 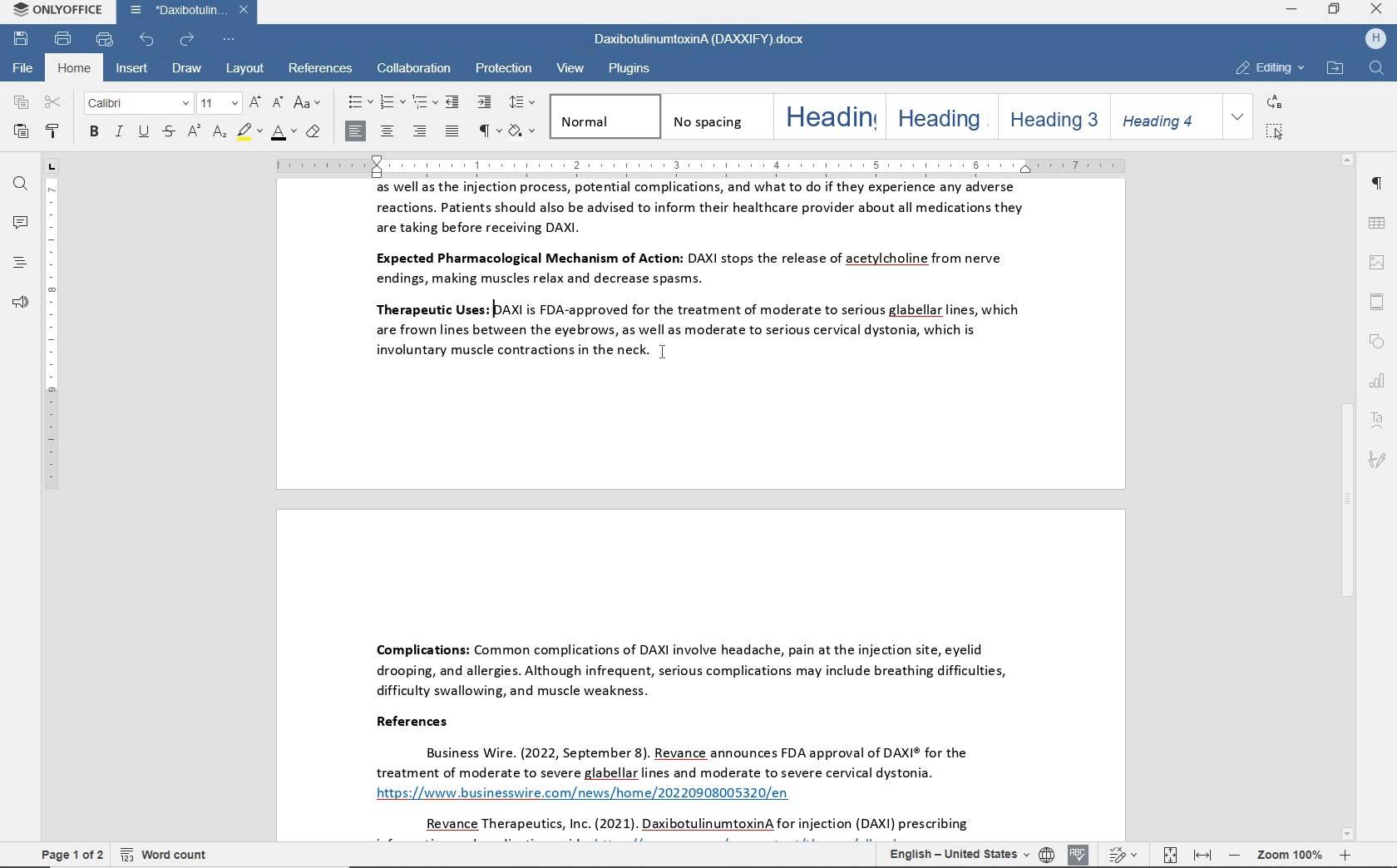 I want to click on heading 4, so click(x=1161, y=116).